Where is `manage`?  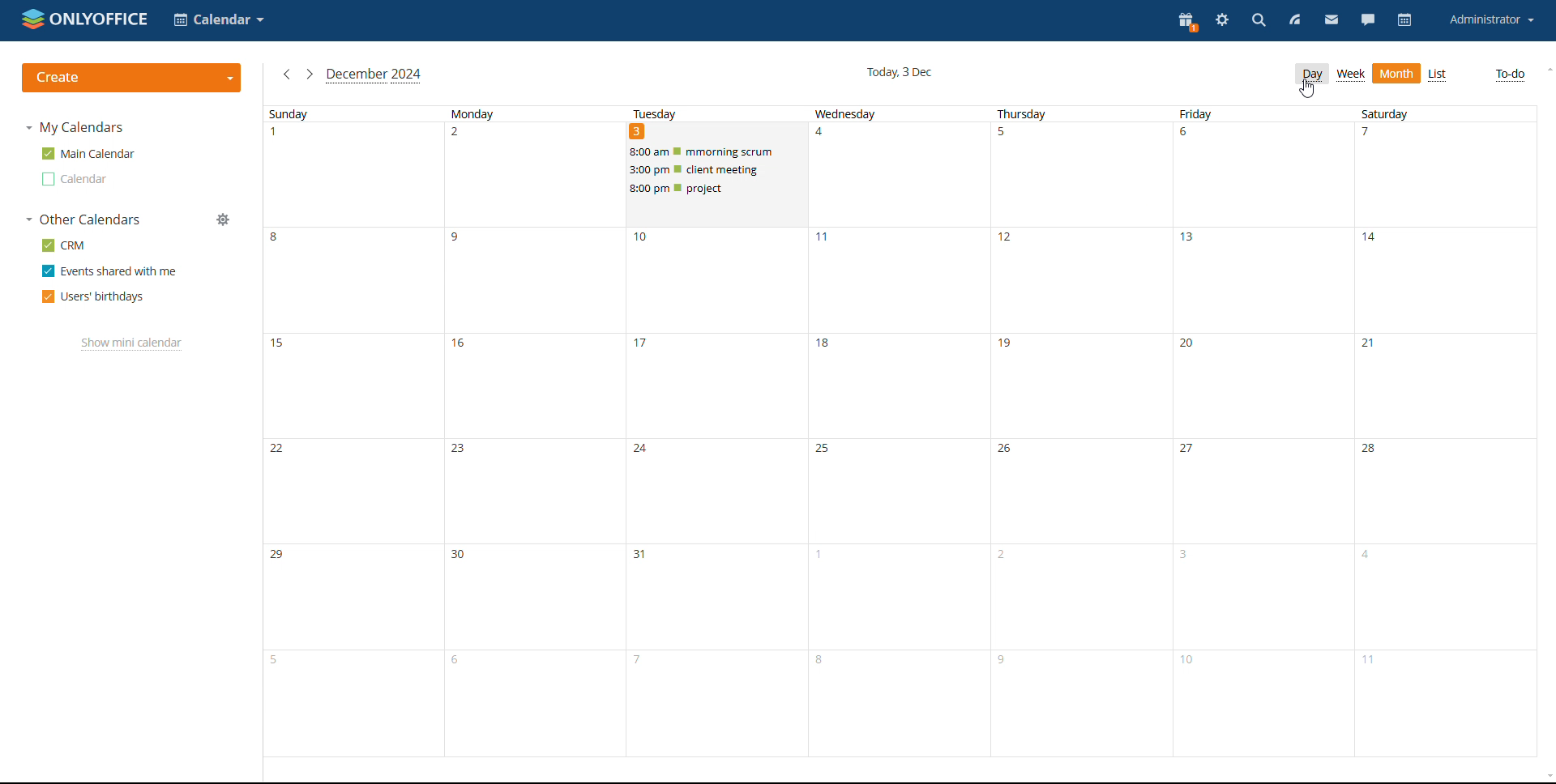 manage is located at coordinates (223, 219).